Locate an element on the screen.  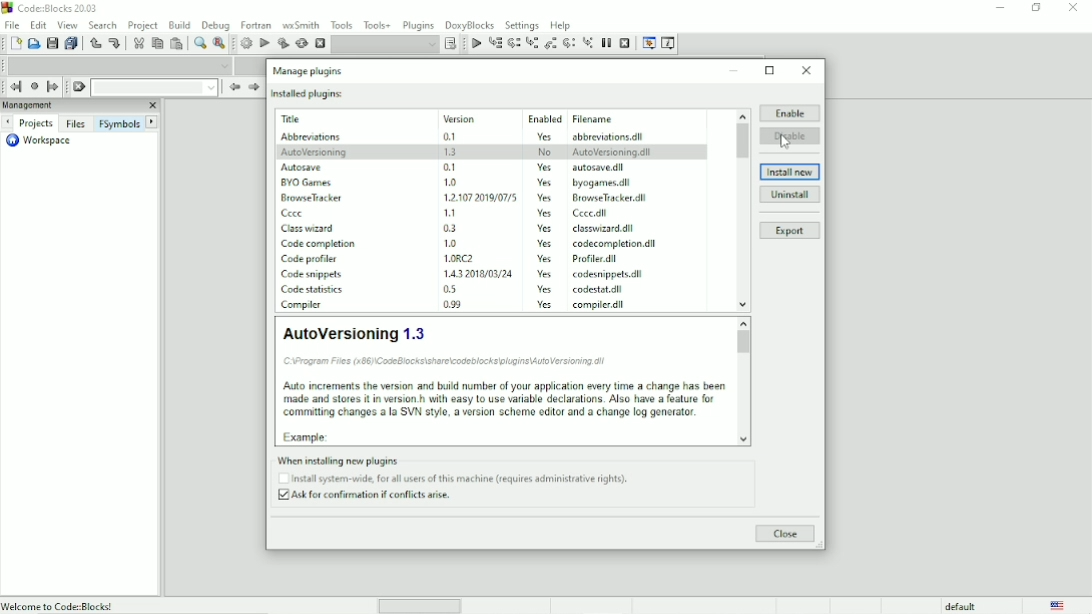
Enabled is located at coordinates (544, 119).